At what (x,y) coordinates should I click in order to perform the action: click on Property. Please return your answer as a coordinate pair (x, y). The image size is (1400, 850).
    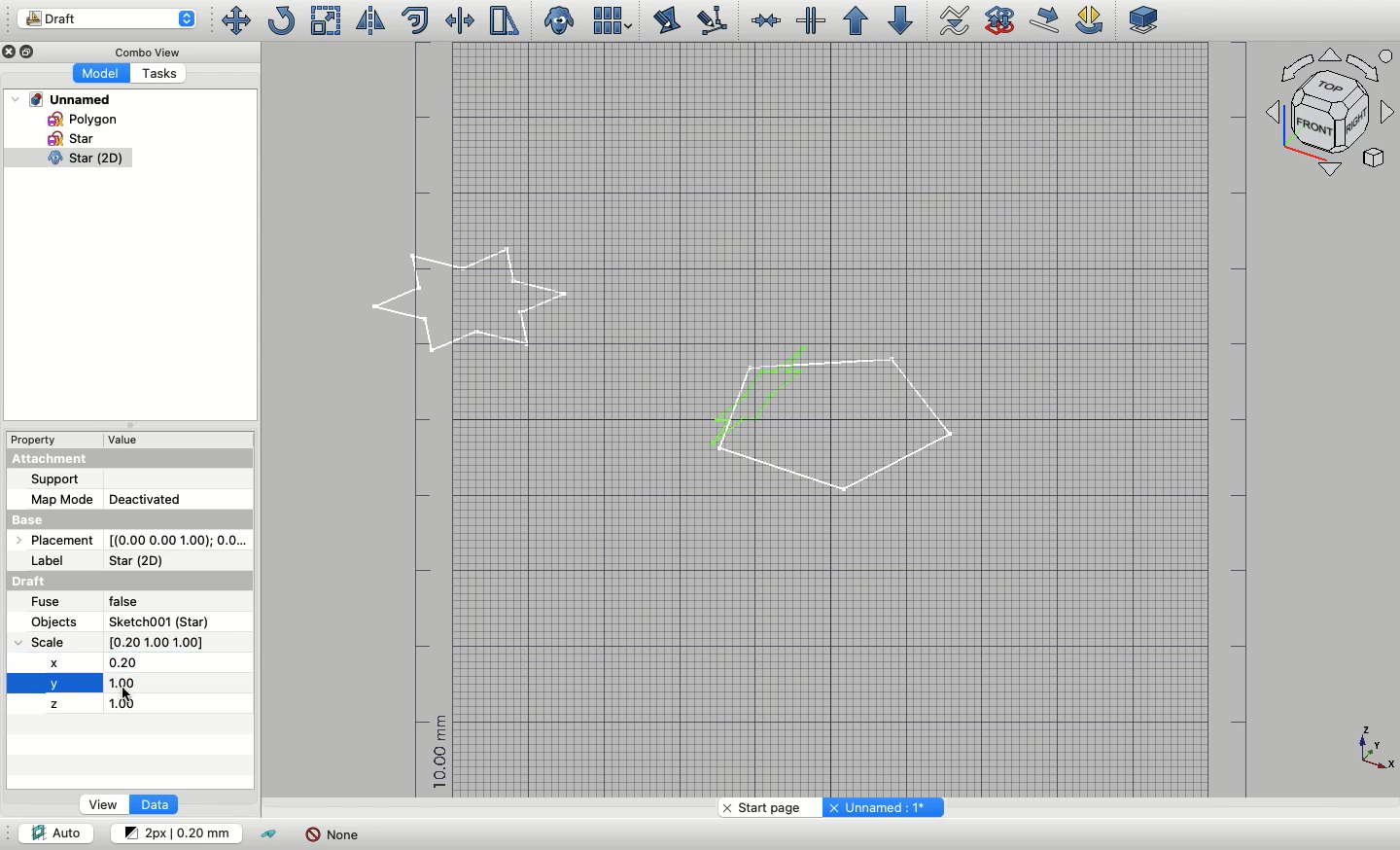
    Looking at the image, I should click on (34, 440).